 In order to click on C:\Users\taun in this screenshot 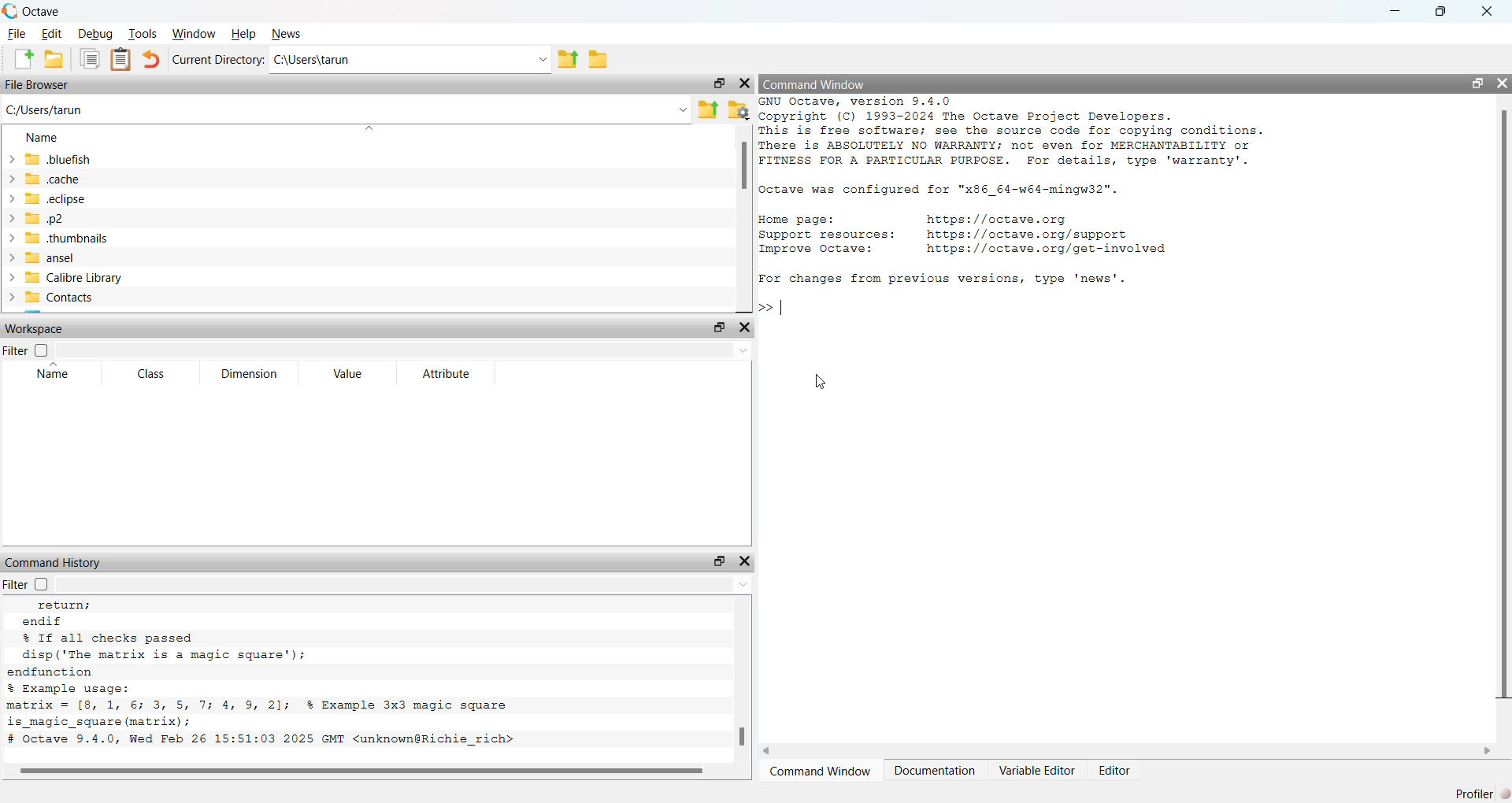, I will do `click(313, 59)`.